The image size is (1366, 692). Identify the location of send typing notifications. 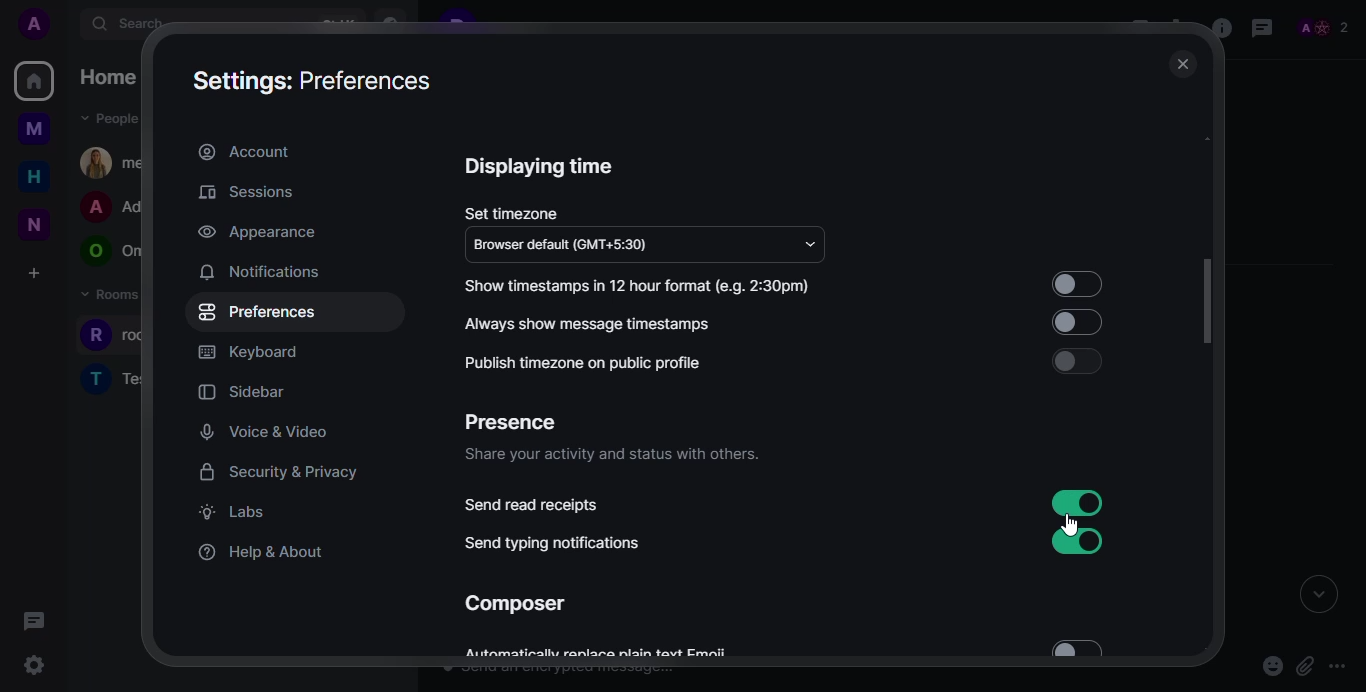
(553, 542).